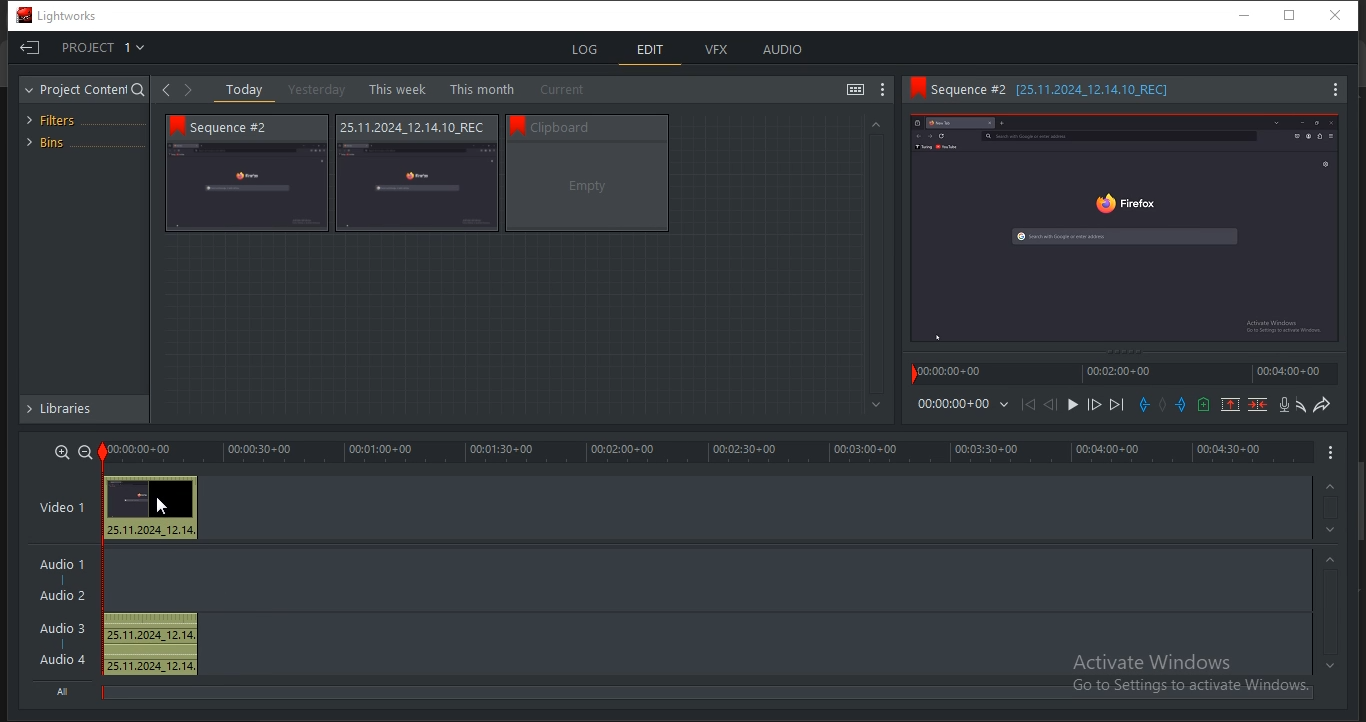 This screenshot has width=1366, height=722. What do you see at coordinates (1204, 405) in the screenshot?
I see `add a cue` at bounding box center [1204, 405].